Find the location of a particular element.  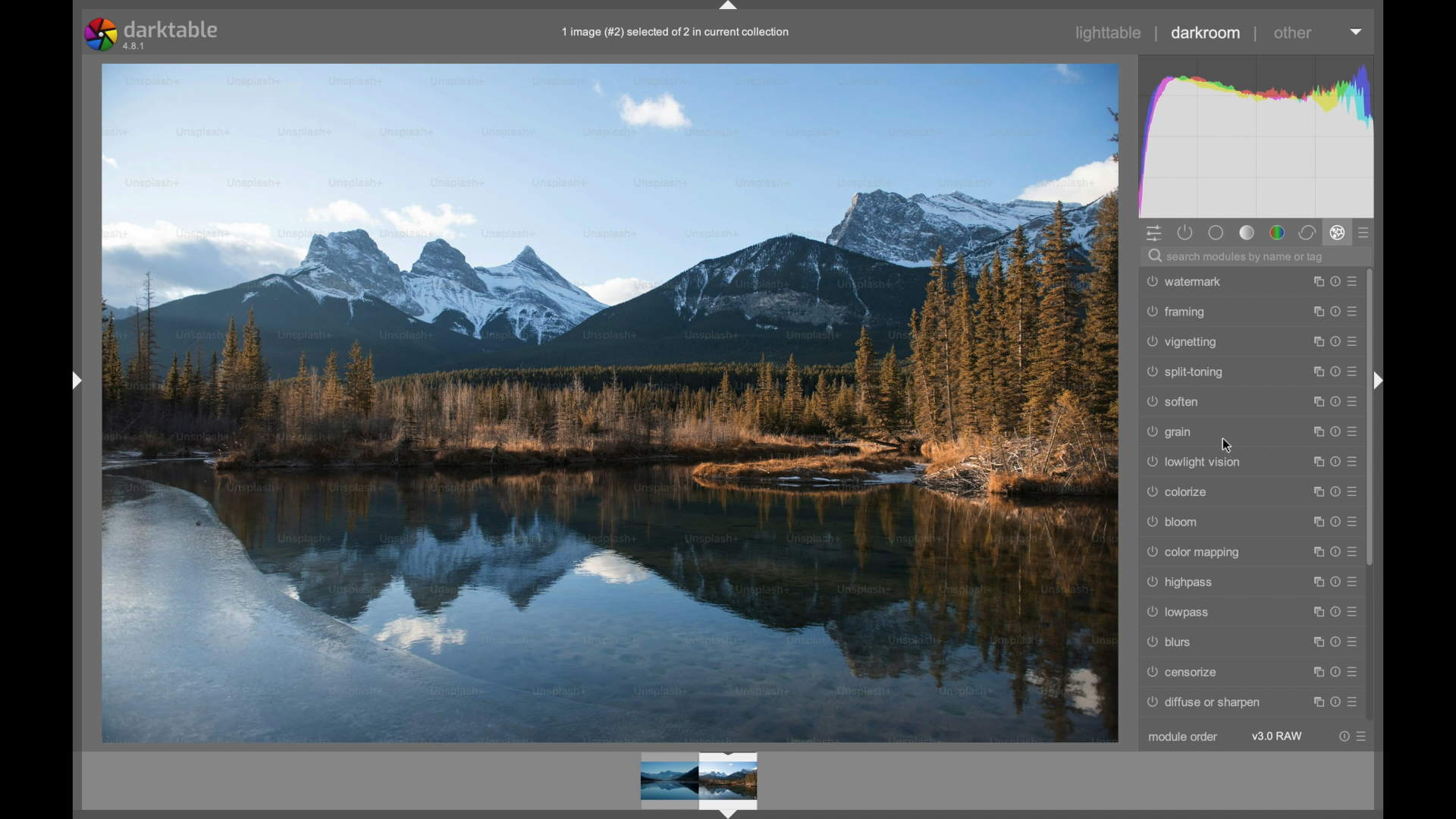

Cursor is located at coordinates (1233, 447).